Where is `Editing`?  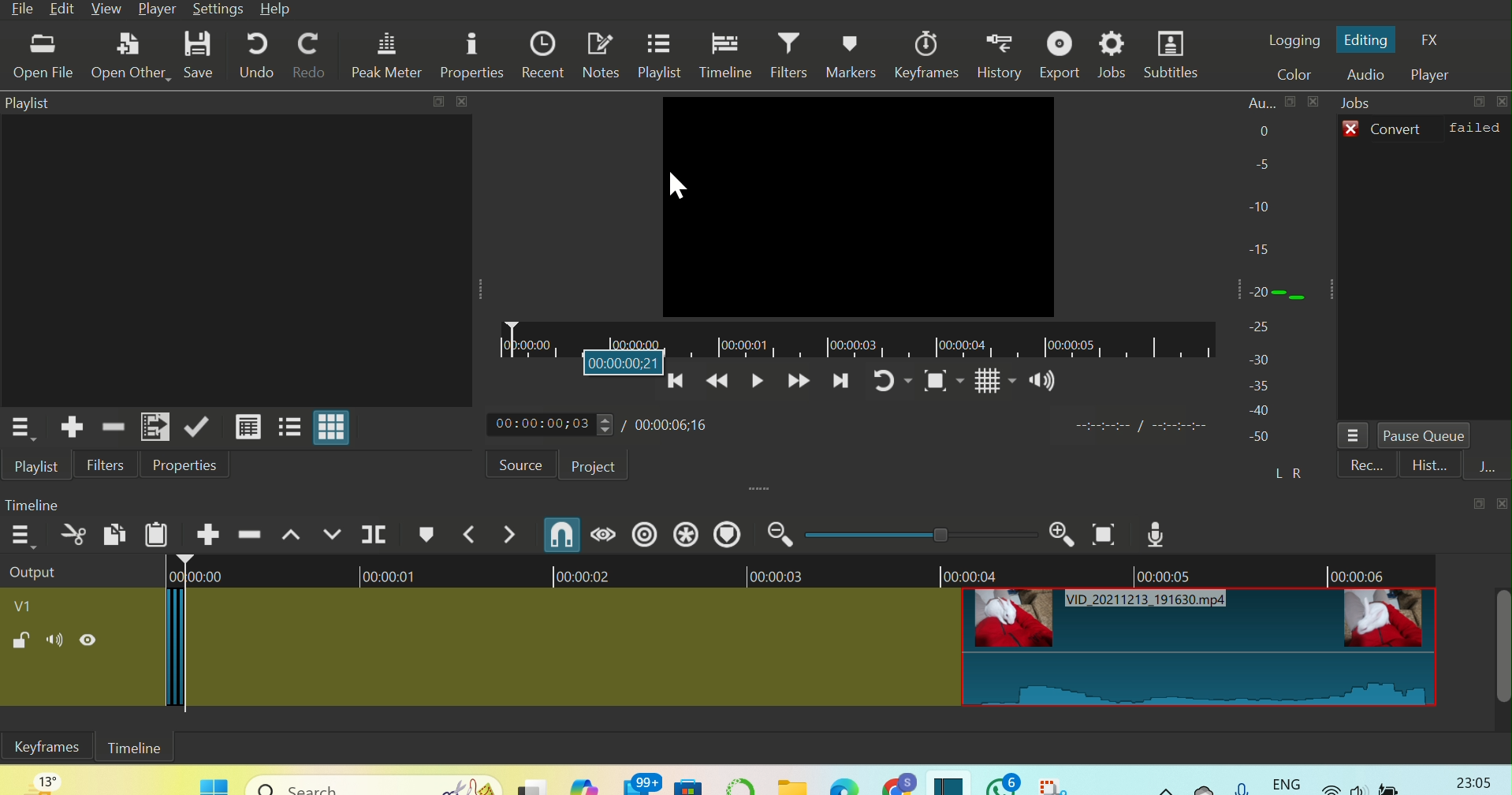 Editing is located at coordinates (1367, 41).